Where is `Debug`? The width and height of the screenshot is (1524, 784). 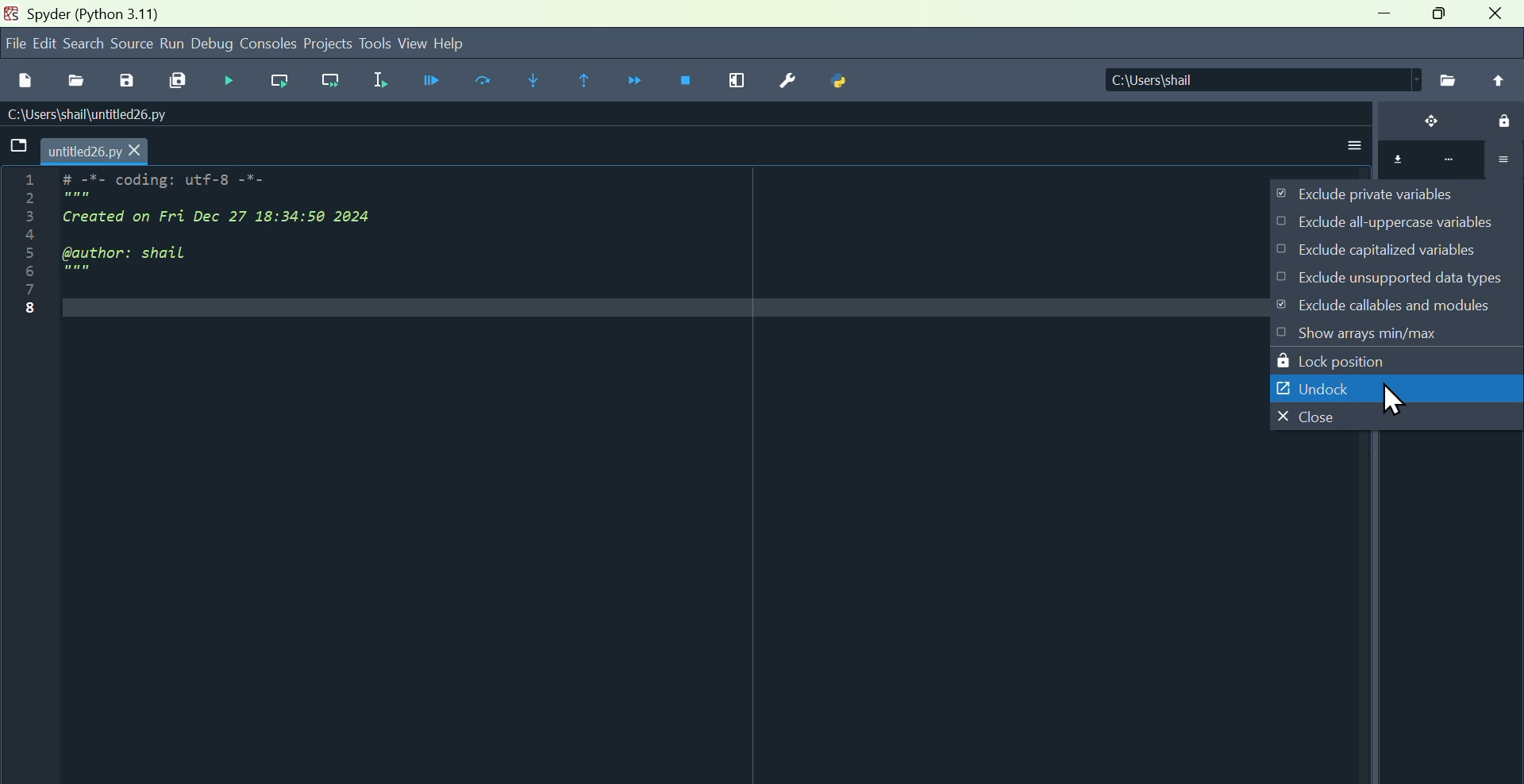 Debug is located at coordinates (214, 44).